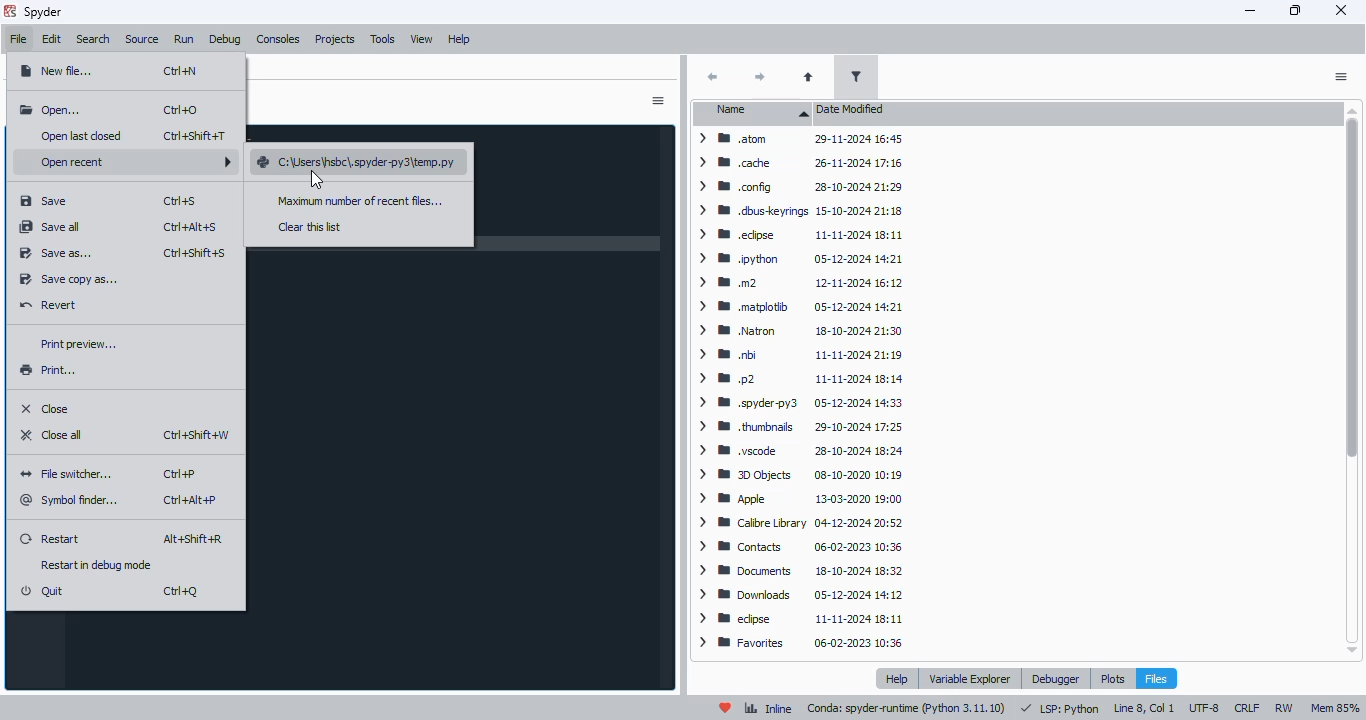 This screenshot has height=720, width=1366. What do you see at coordinates (44, 201) in the screenshot?
I see `save` at bounding box center [44, 201].